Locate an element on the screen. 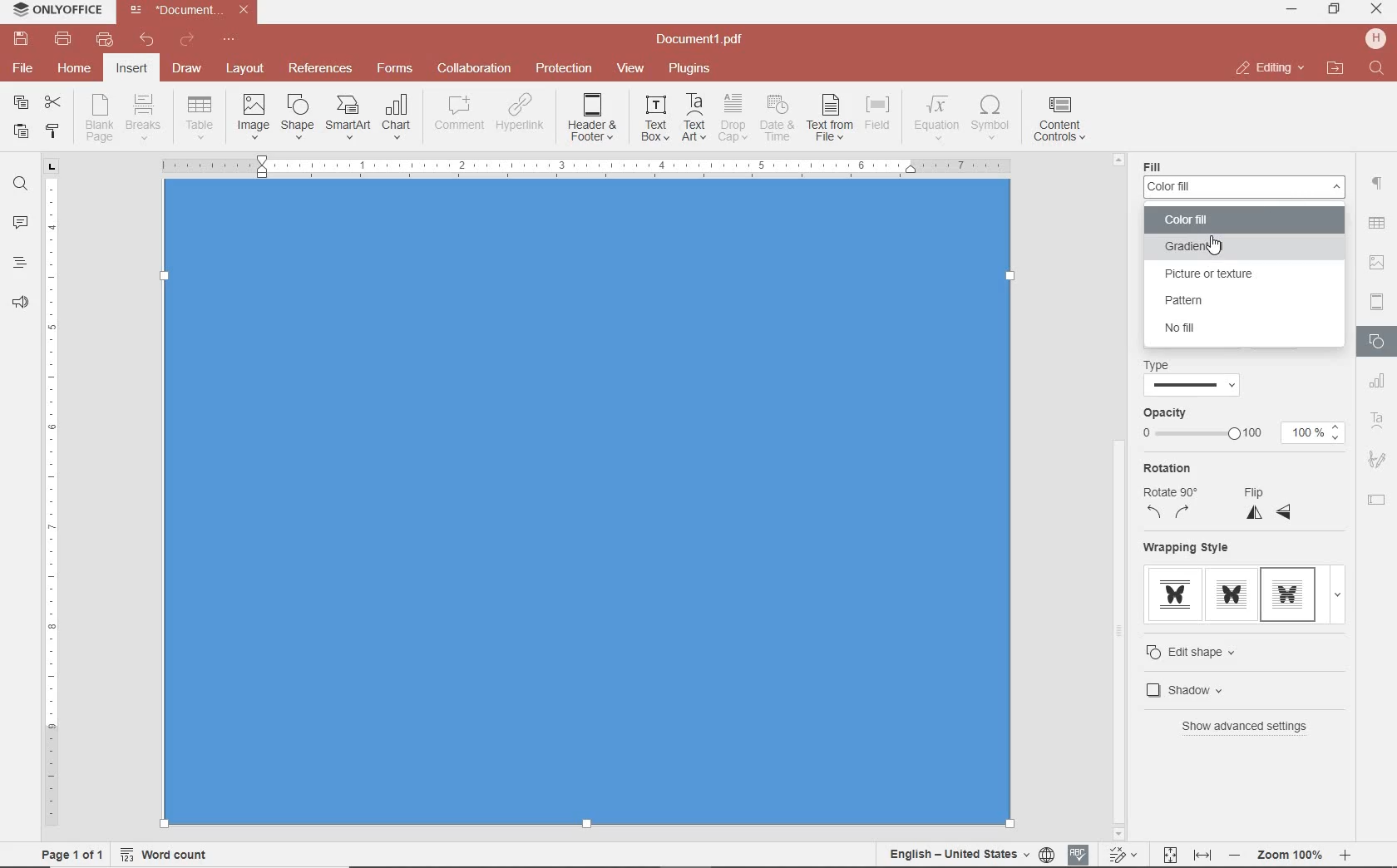 The height and width of the screenshot is (868, 1397). CHART is located at coordinates (1378, 382).